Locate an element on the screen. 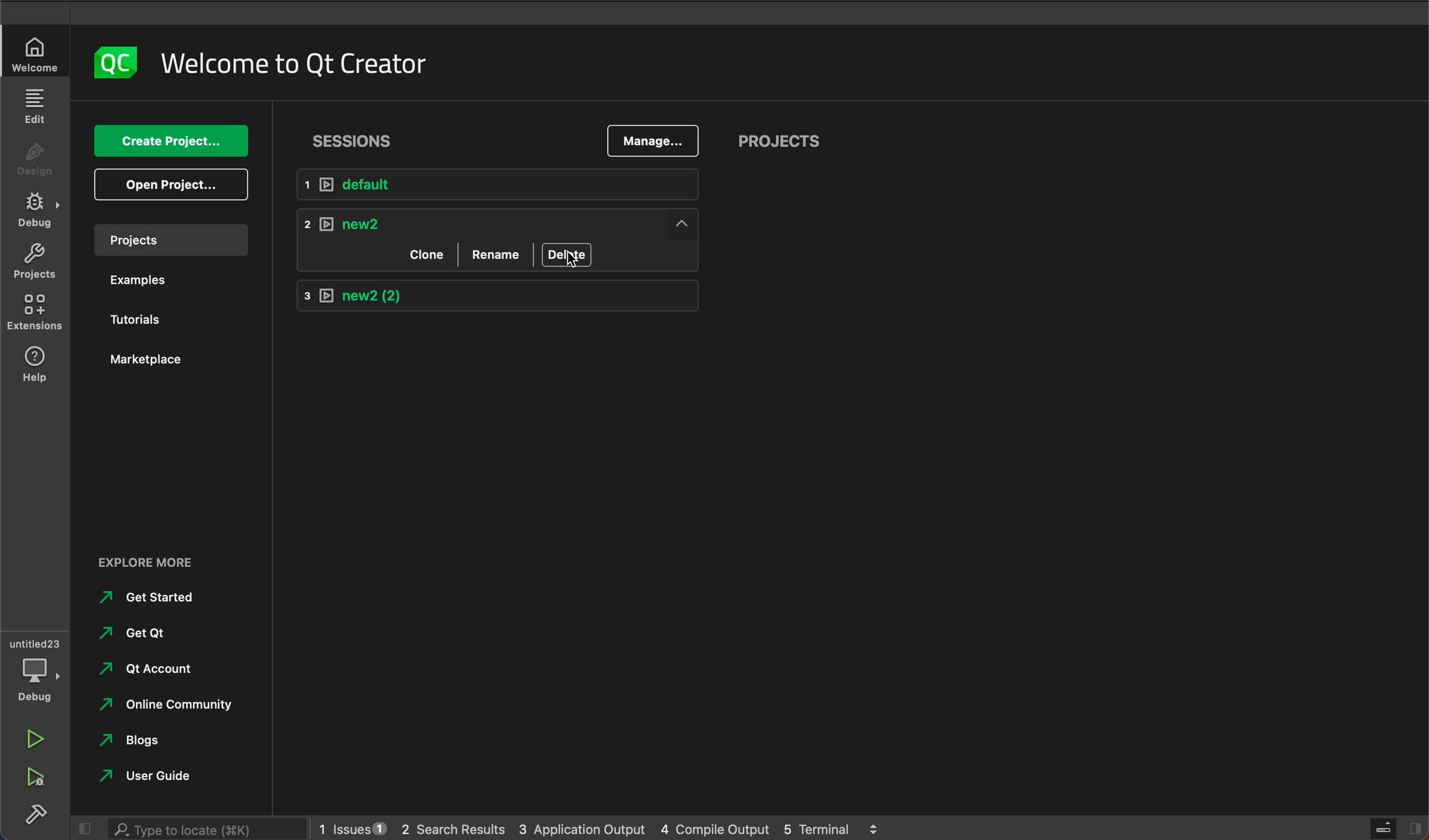  EXPLORE MORE is located at coordinates (147, 561).